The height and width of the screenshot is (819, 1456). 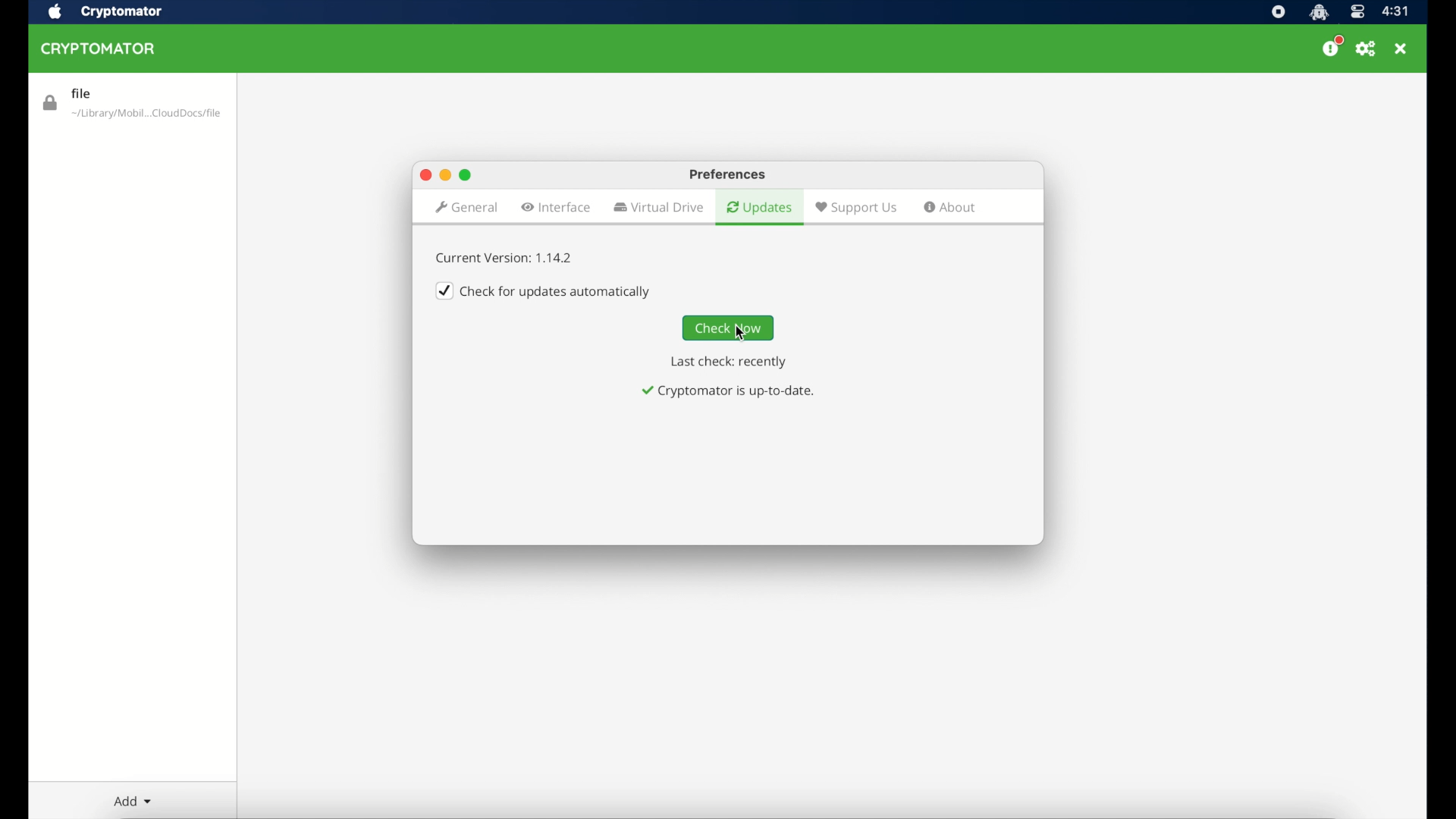 What do you see at coordinates (466, 207) in the screenshot?
I see `general` at bounding box center [466, 207].